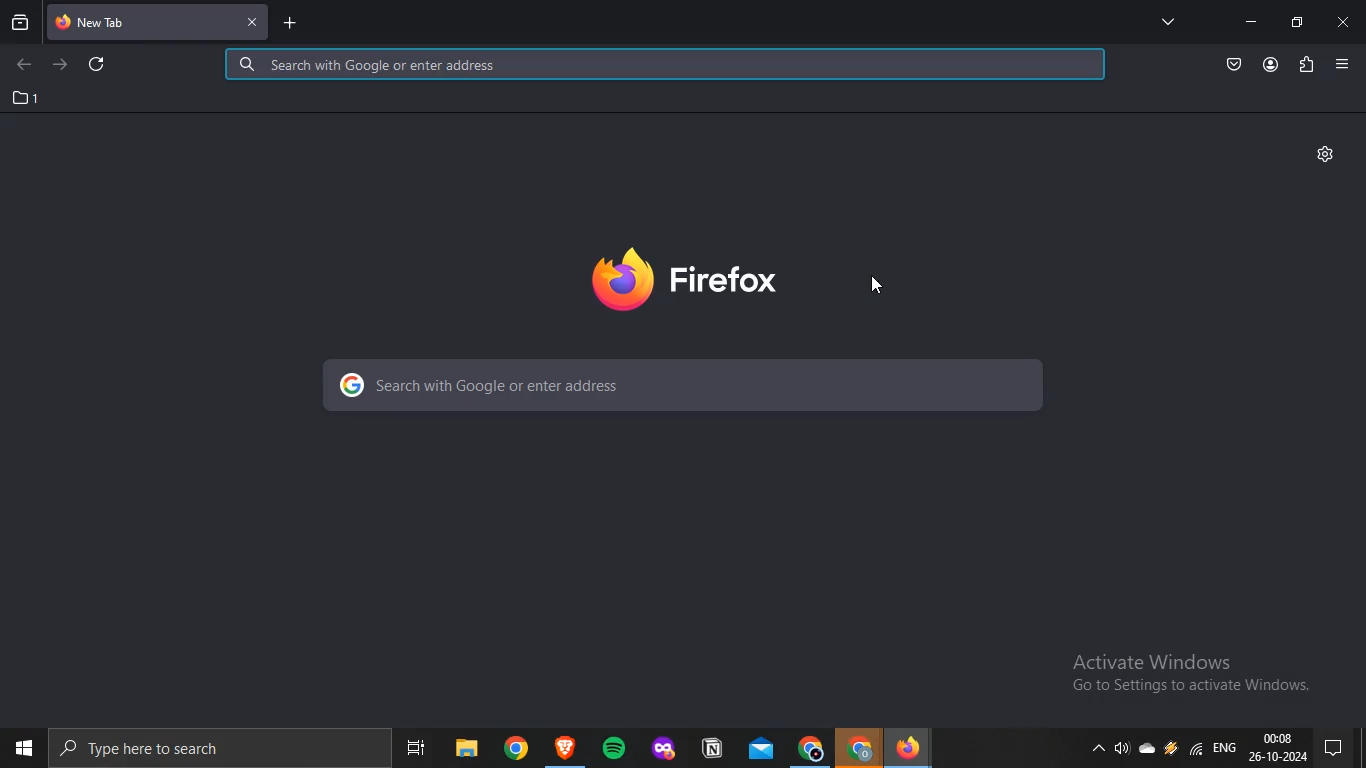 This screenshot has width=1366, height=768. What do you see at coordinates (138, 24) in the screenshot?
I see `tab` at bounding box center [138, 24].